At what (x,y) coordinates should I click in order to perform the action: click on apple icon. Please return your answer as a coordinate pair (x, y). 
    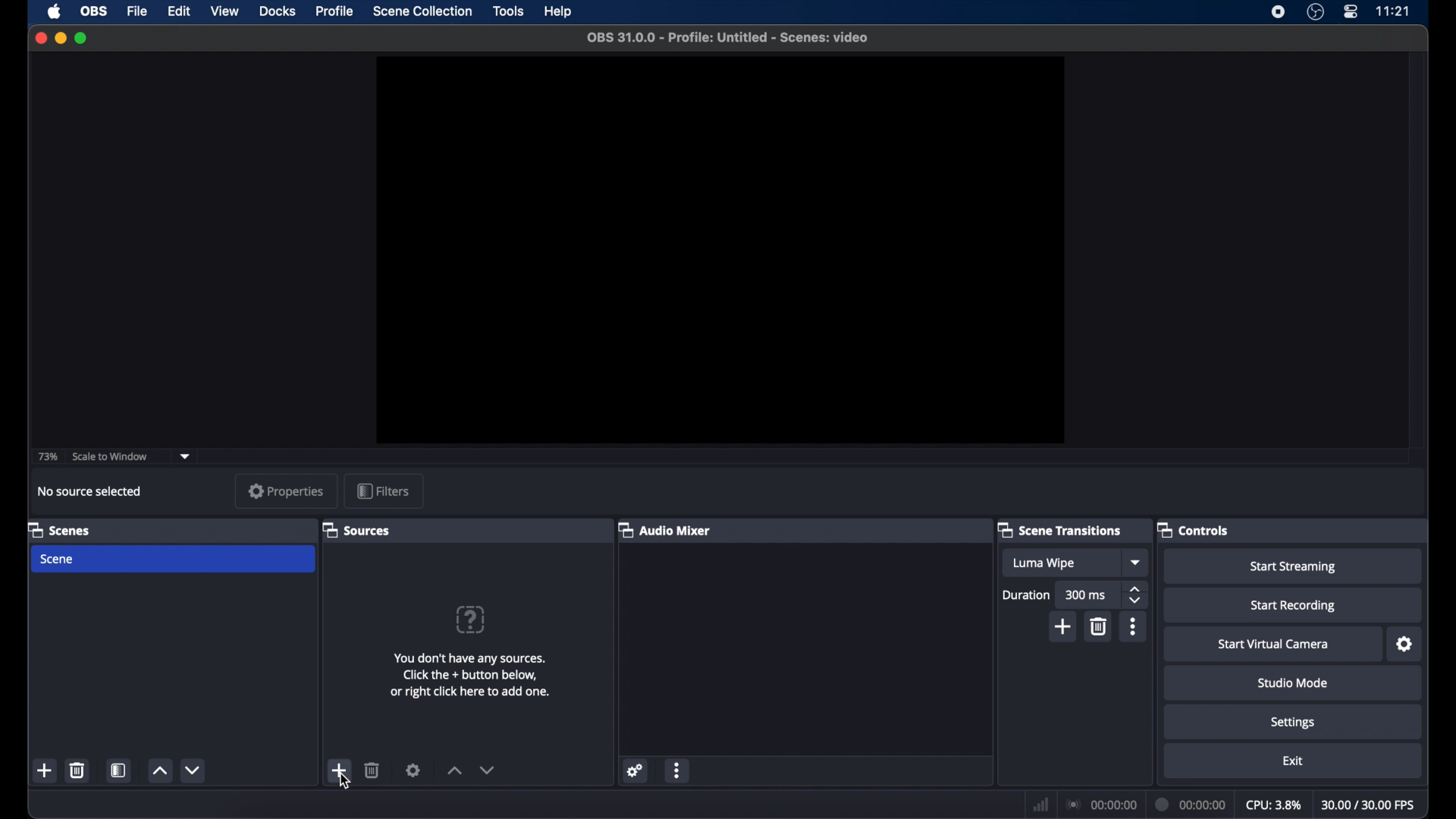
    Looking at the image, I should click on (54, 11).